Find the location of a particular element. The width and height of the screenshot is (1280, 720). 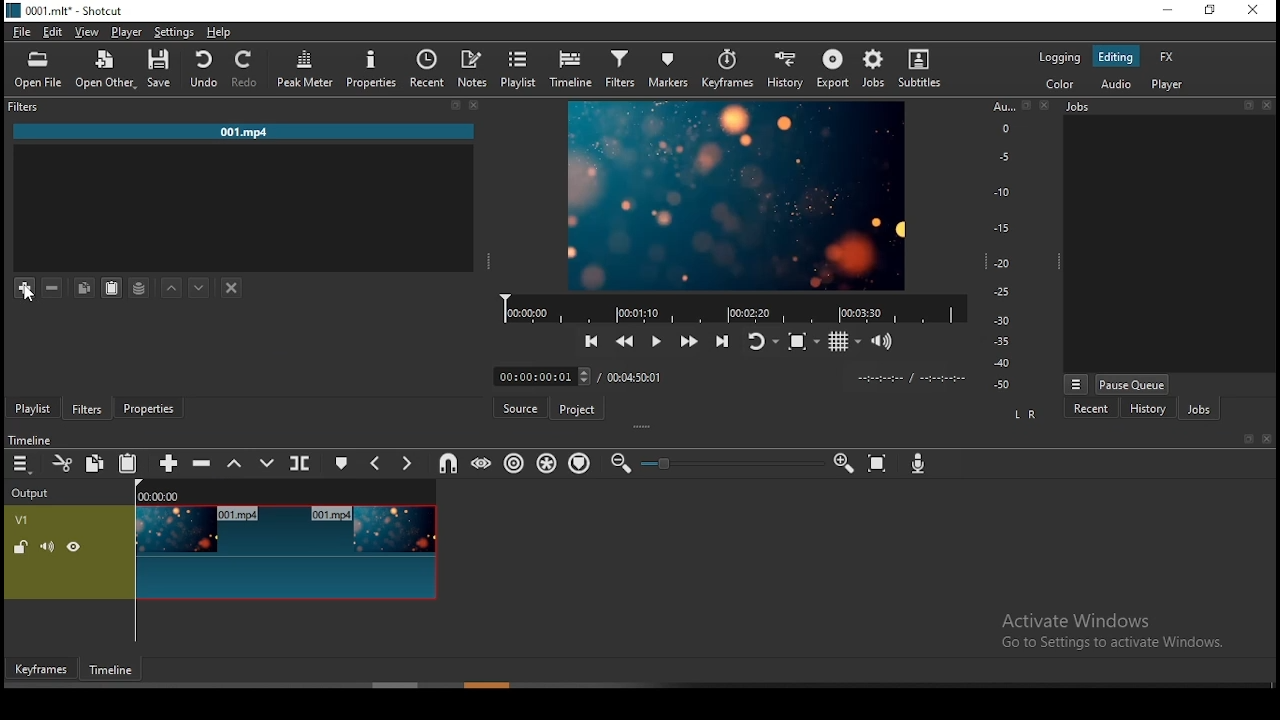

view as icons is located at coordinates (267, 378).